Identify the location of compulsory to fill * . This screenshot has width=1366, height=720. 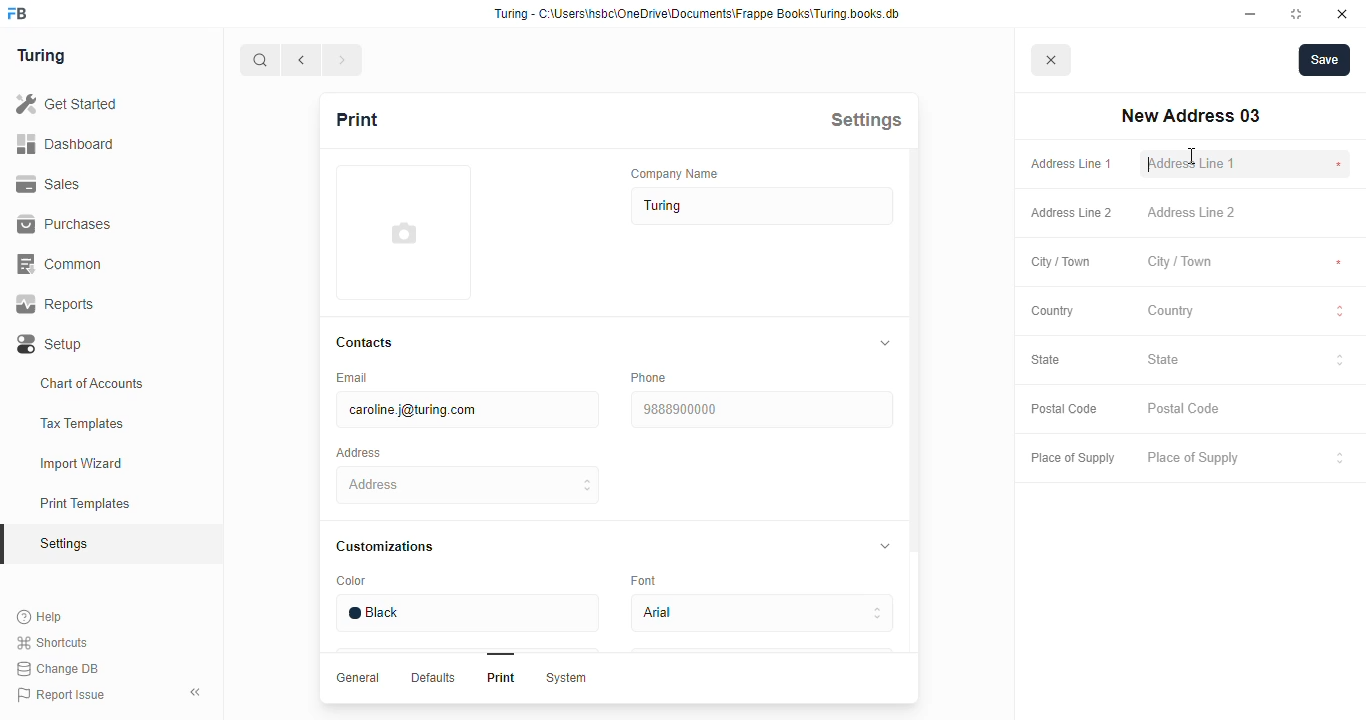
(1340, 263).